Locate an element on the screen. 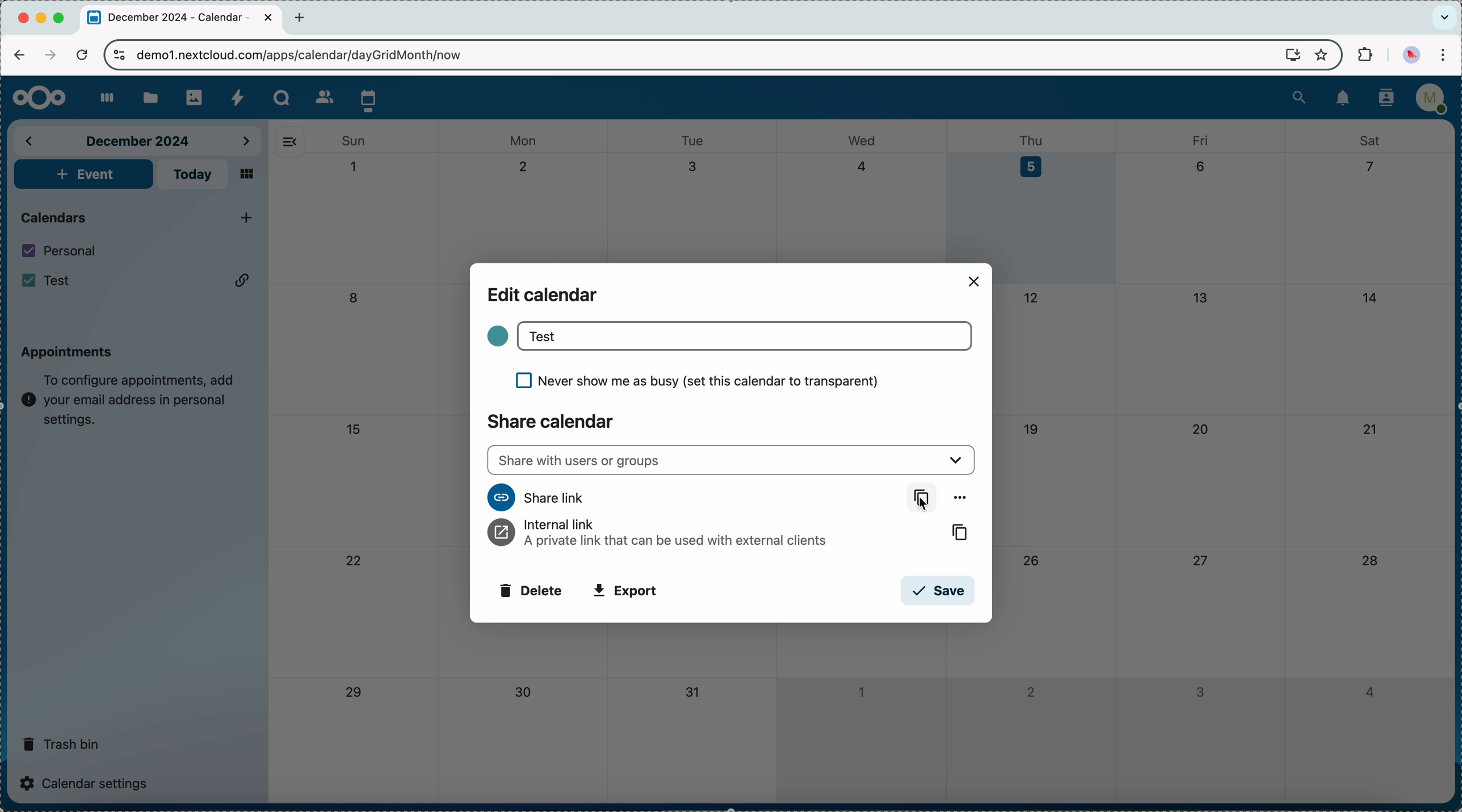  edit calendar is located at coordinates (544, 294).